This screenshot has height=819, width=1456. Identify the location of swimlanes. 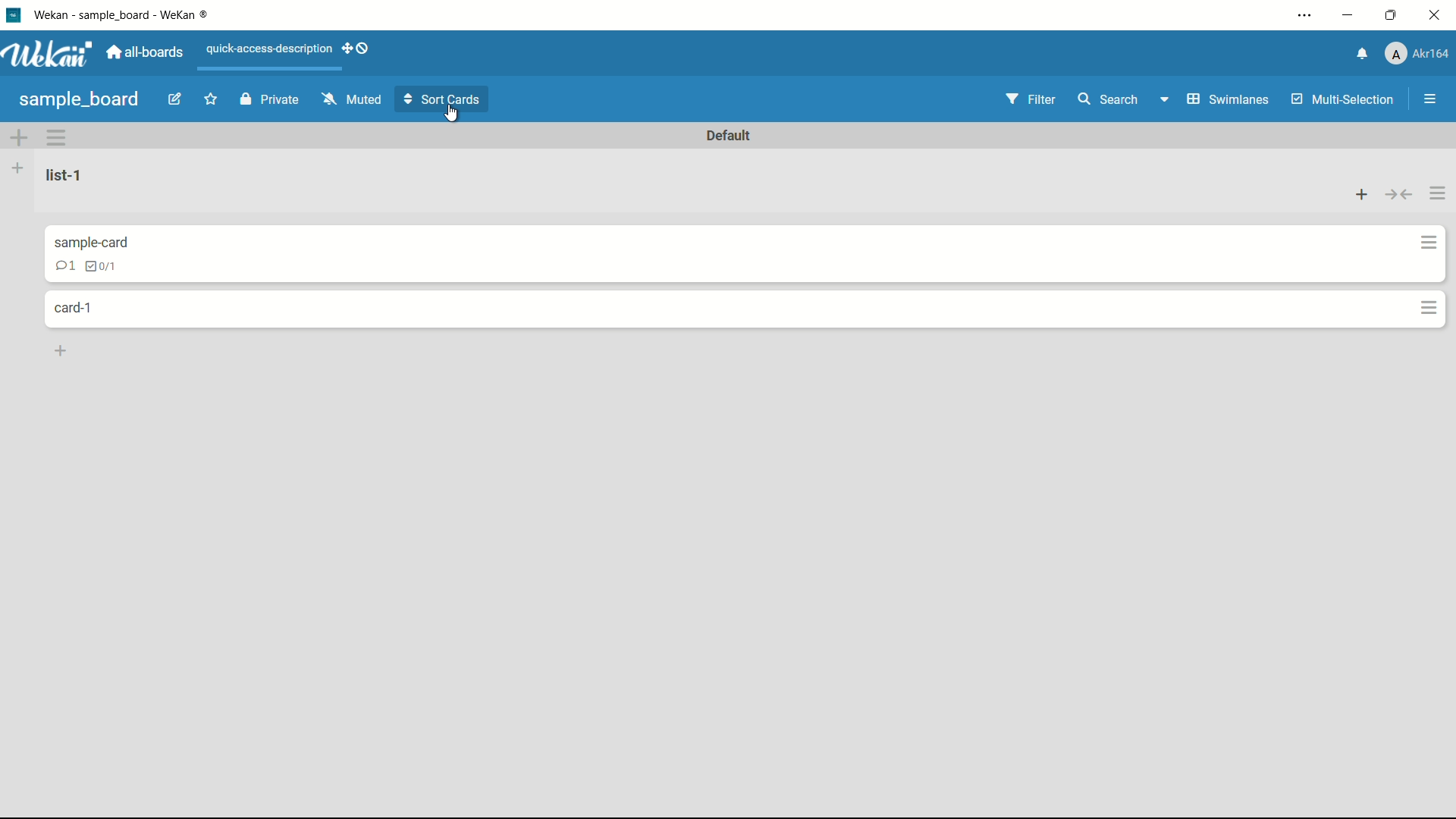
(1211, 99).